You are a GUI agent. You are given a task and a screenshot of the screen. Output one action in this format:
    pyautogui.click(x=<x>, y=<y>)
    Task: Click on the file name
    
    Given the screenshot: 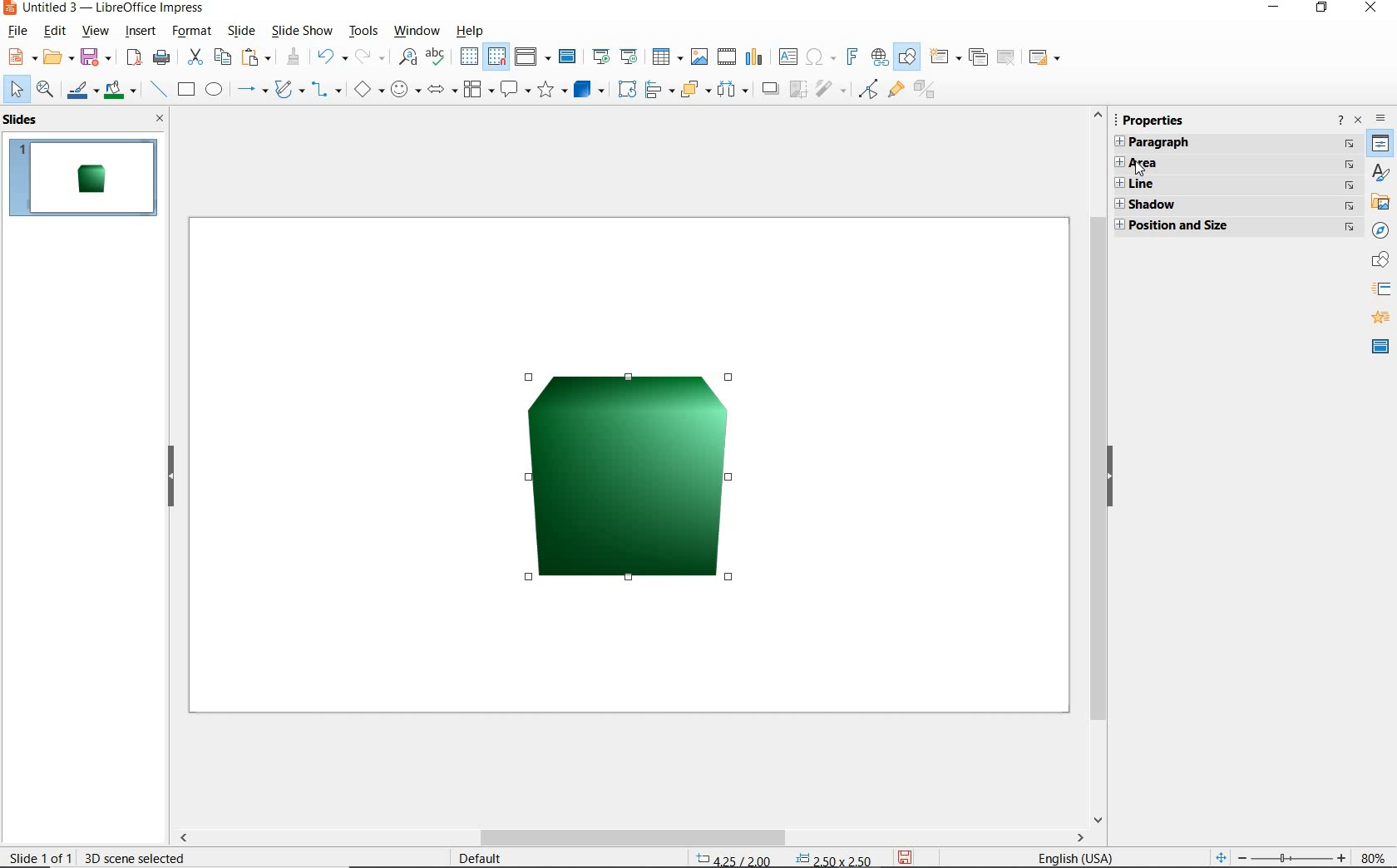 What is the action you would take?
    pyautogui.click(x=103, y=8)
    